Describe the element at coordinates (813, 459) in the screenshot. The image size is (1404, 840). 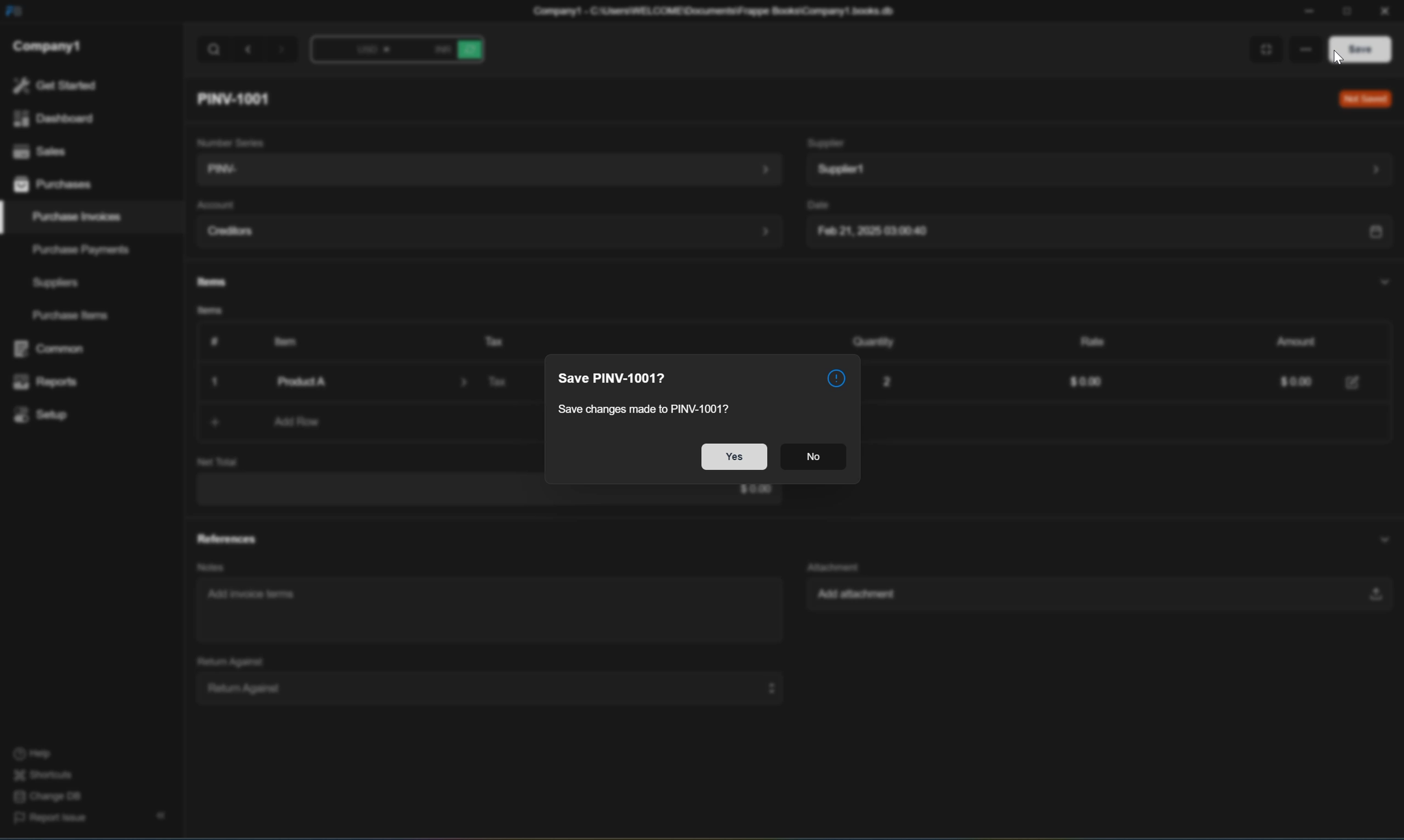
I see `No` at that location.